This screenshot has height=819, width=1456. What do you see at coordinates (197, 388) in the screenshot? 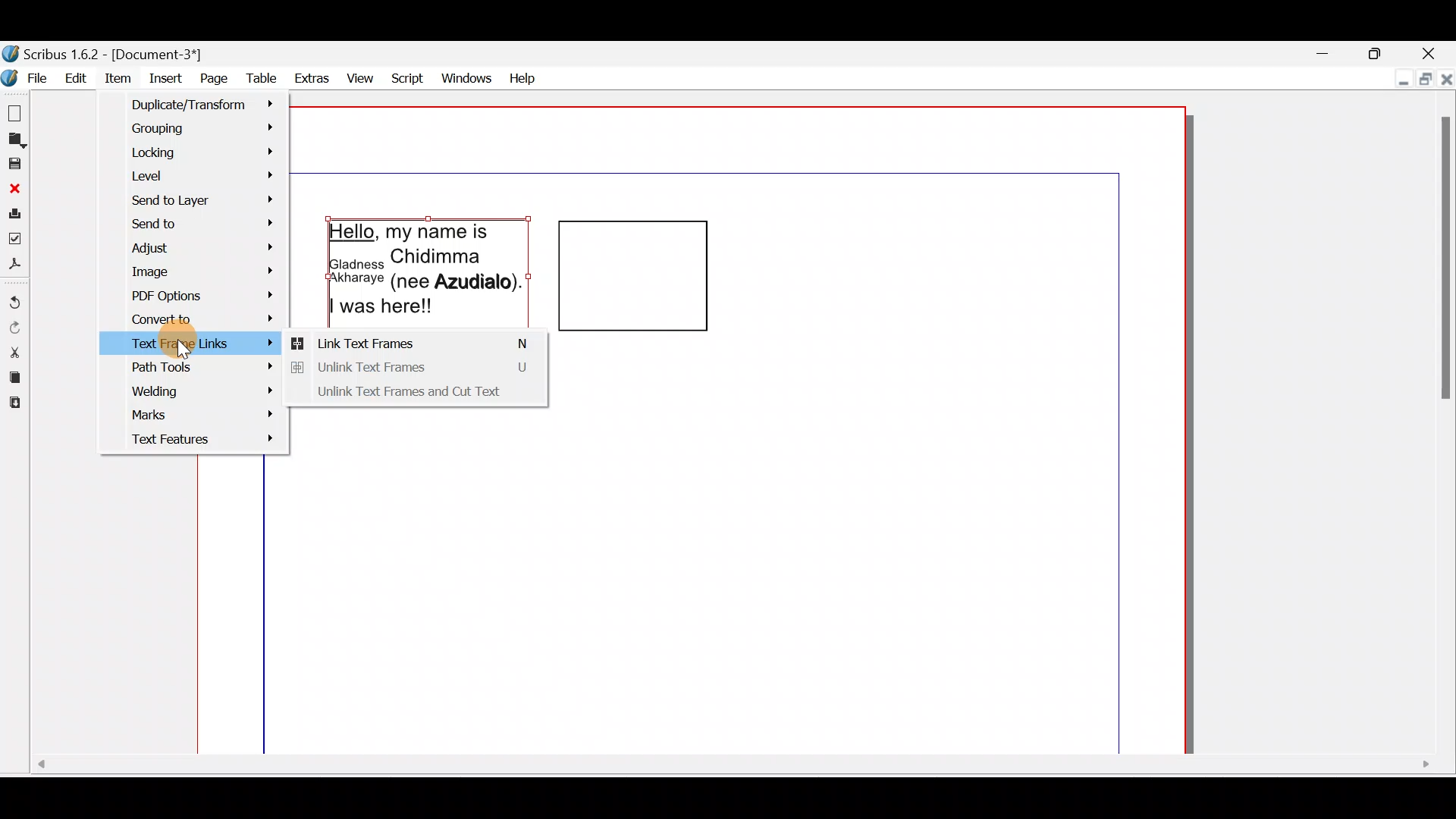
I see `Welding` at bounding box center [197, 388].